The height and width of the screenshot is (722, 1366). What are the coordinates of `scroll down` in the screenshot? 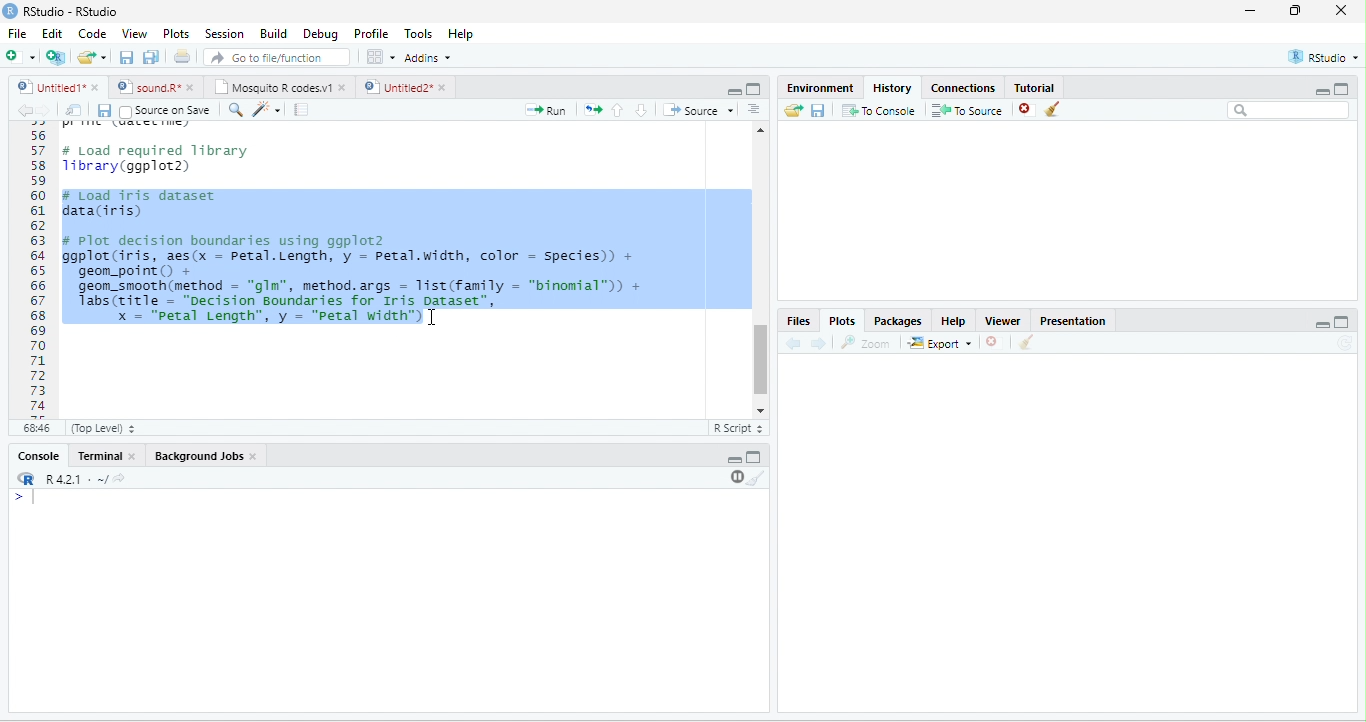 It's located at (760, 411).